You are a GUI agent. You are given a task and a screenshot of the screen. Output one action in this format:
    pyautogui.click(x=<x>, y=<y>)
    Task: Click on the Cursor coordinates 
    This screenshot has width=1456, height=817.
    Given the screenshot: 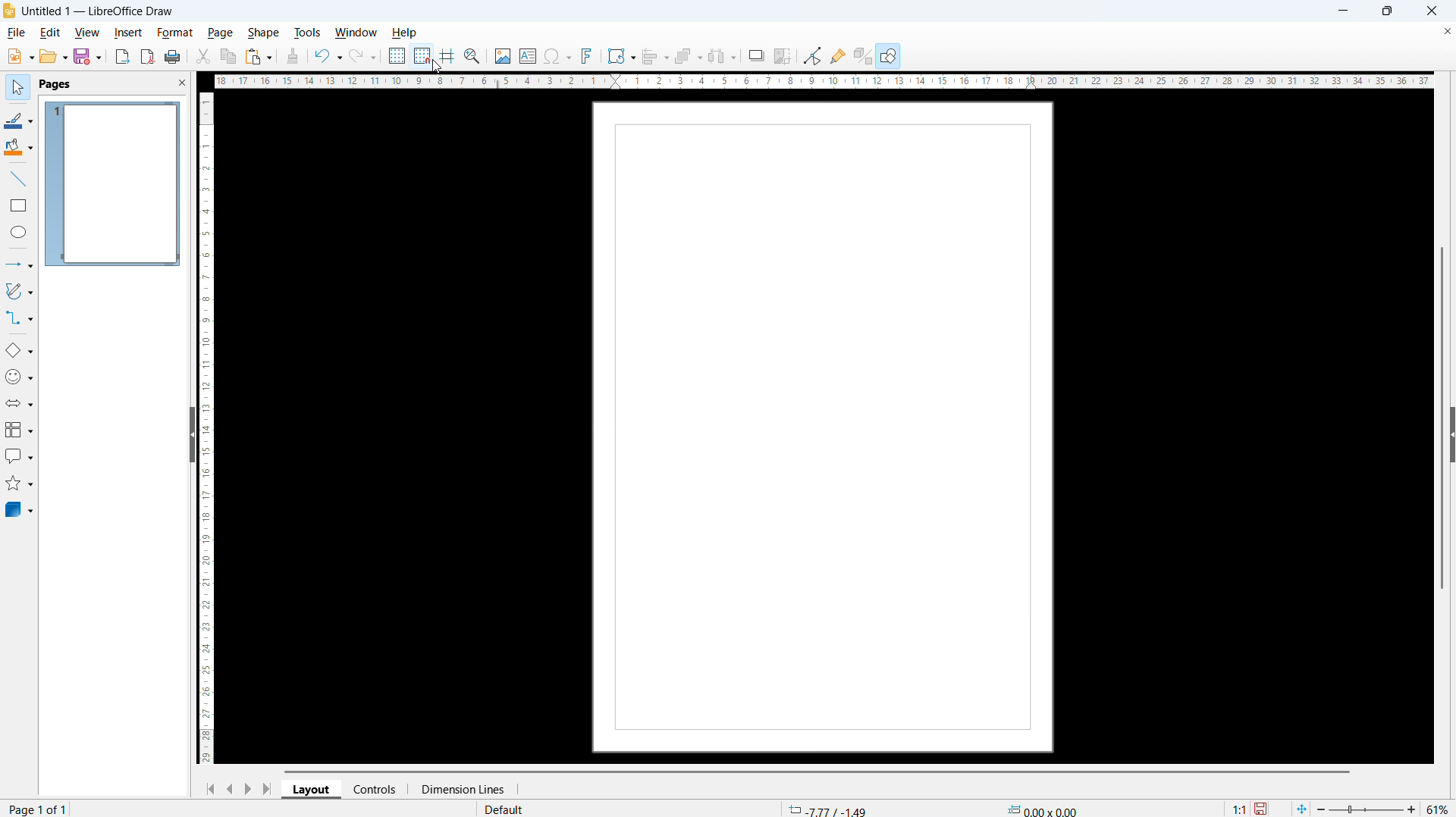 What is the action you would take?
    pyautogui.click(x=827, y=808)
    